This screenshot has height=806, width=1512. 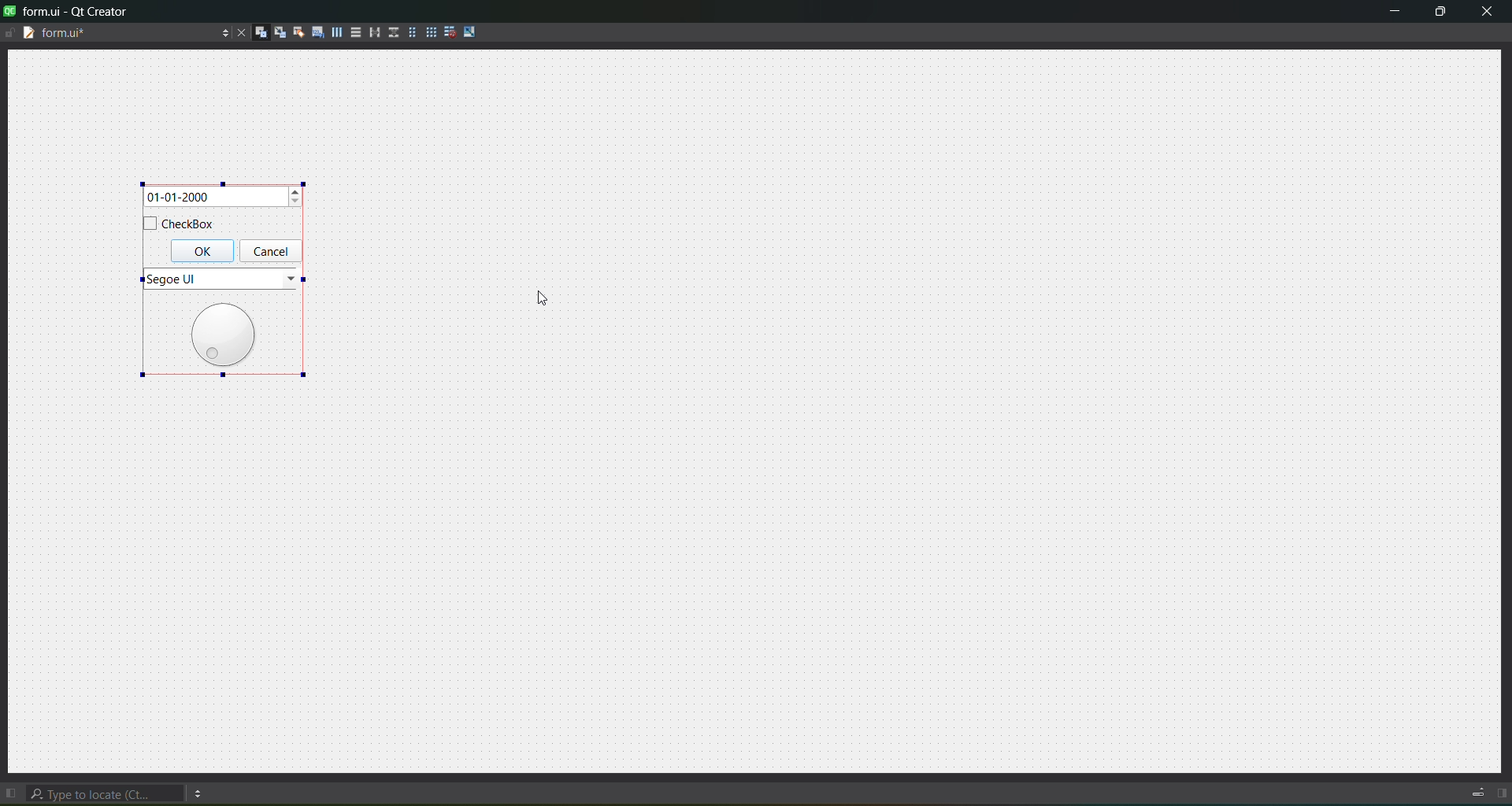 I want to click on edit signals, so click(x=277, y=31).